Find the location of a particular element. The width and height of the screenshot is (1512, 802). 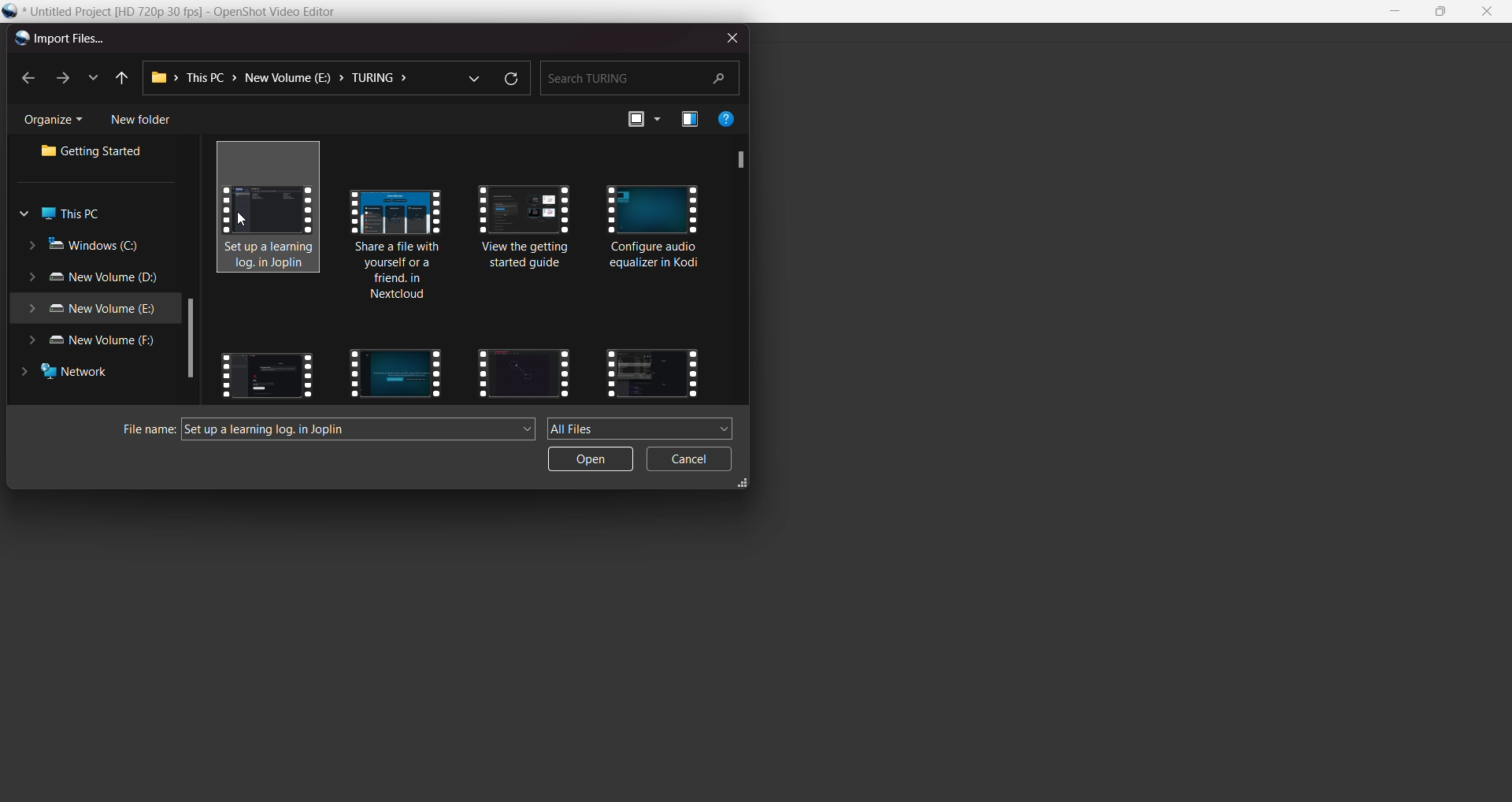

new volume d is located at coordinates (97, 279).